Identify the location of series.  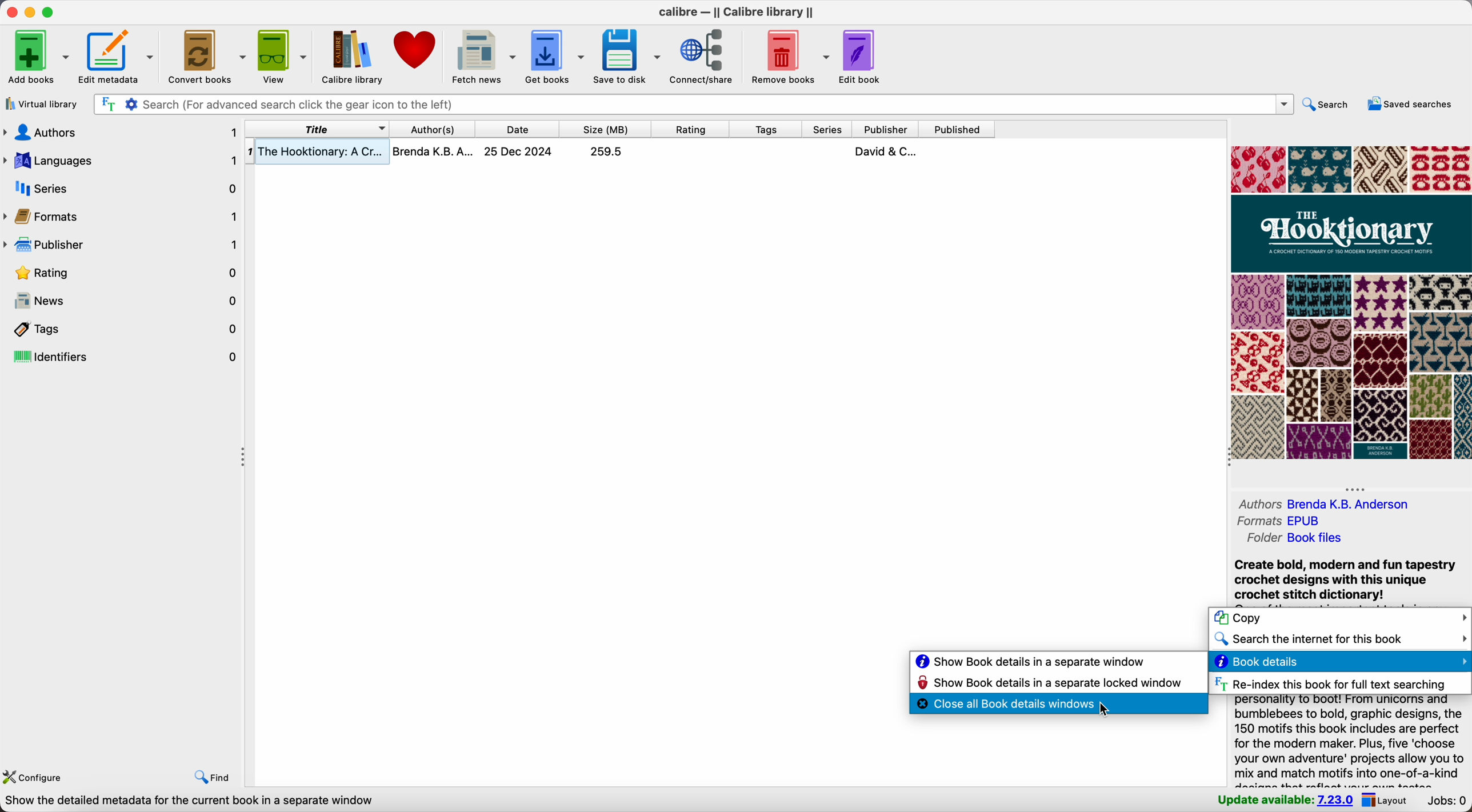
(825, 129).